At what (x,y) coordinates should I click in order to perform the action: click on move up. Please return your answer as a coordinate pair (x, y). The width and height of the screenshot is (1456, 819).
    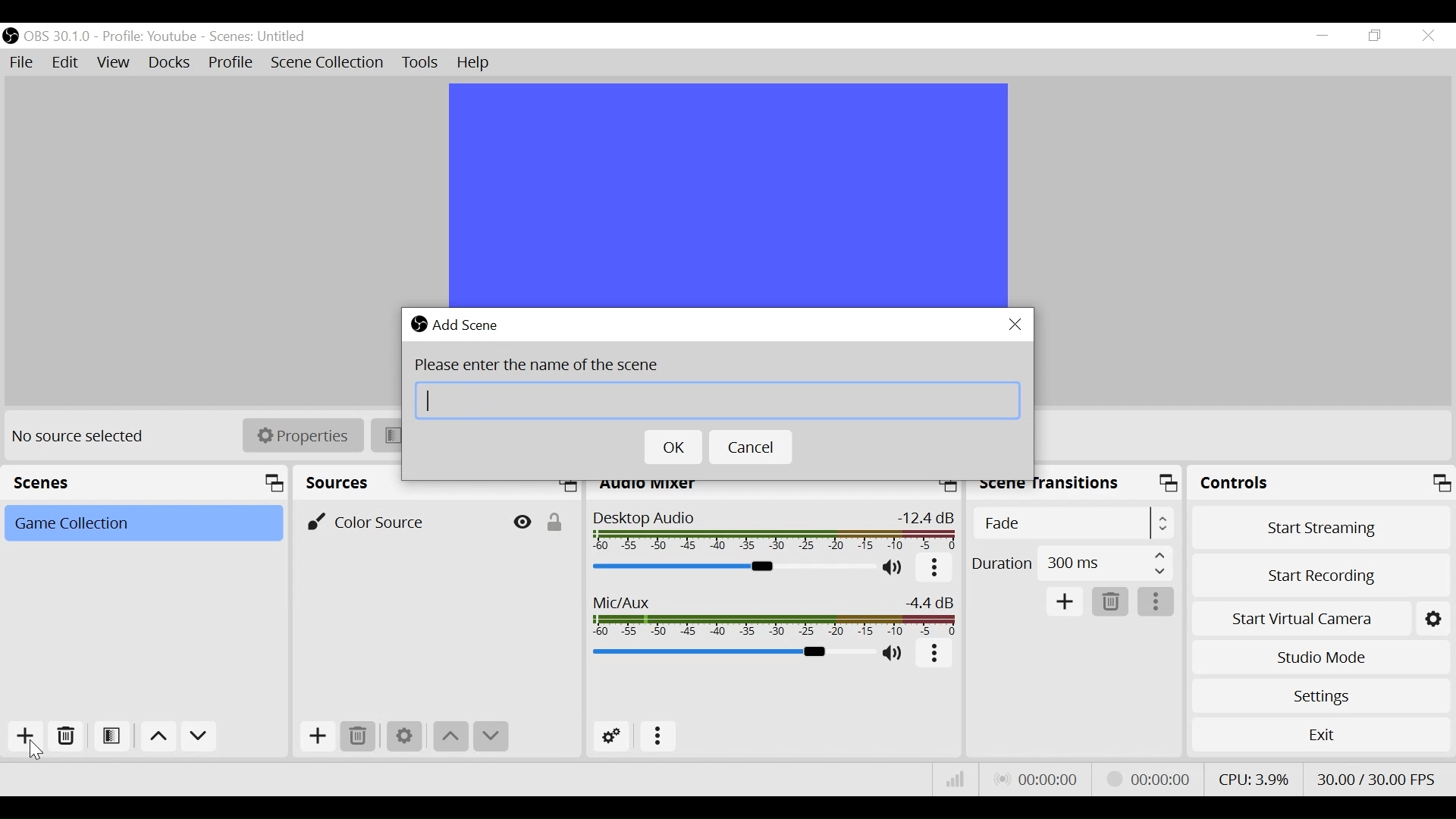
    Looking at the image, I should click on (156, 736).